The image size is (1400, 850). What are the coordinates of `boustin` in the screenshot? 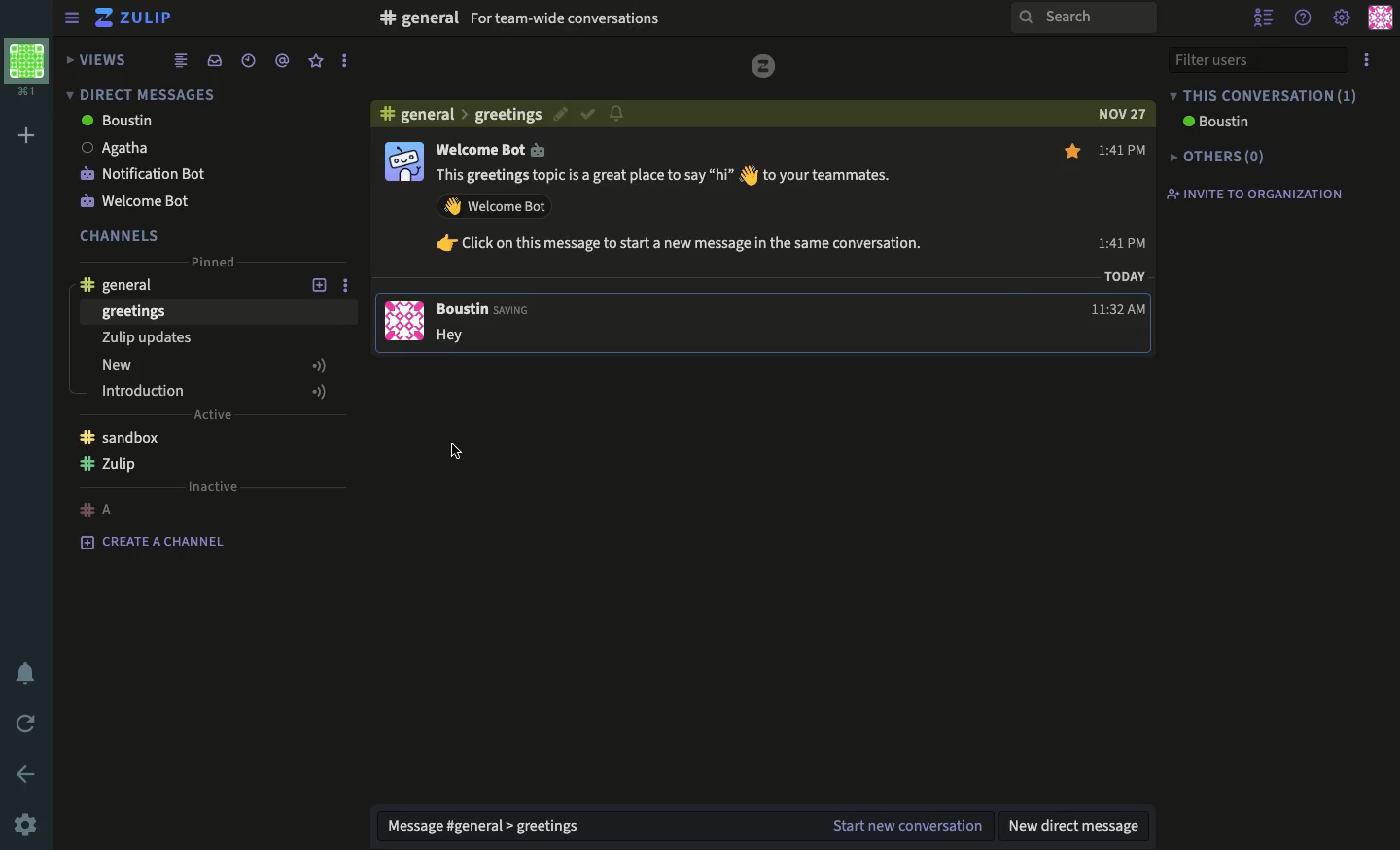 It's located at (1218, 123).